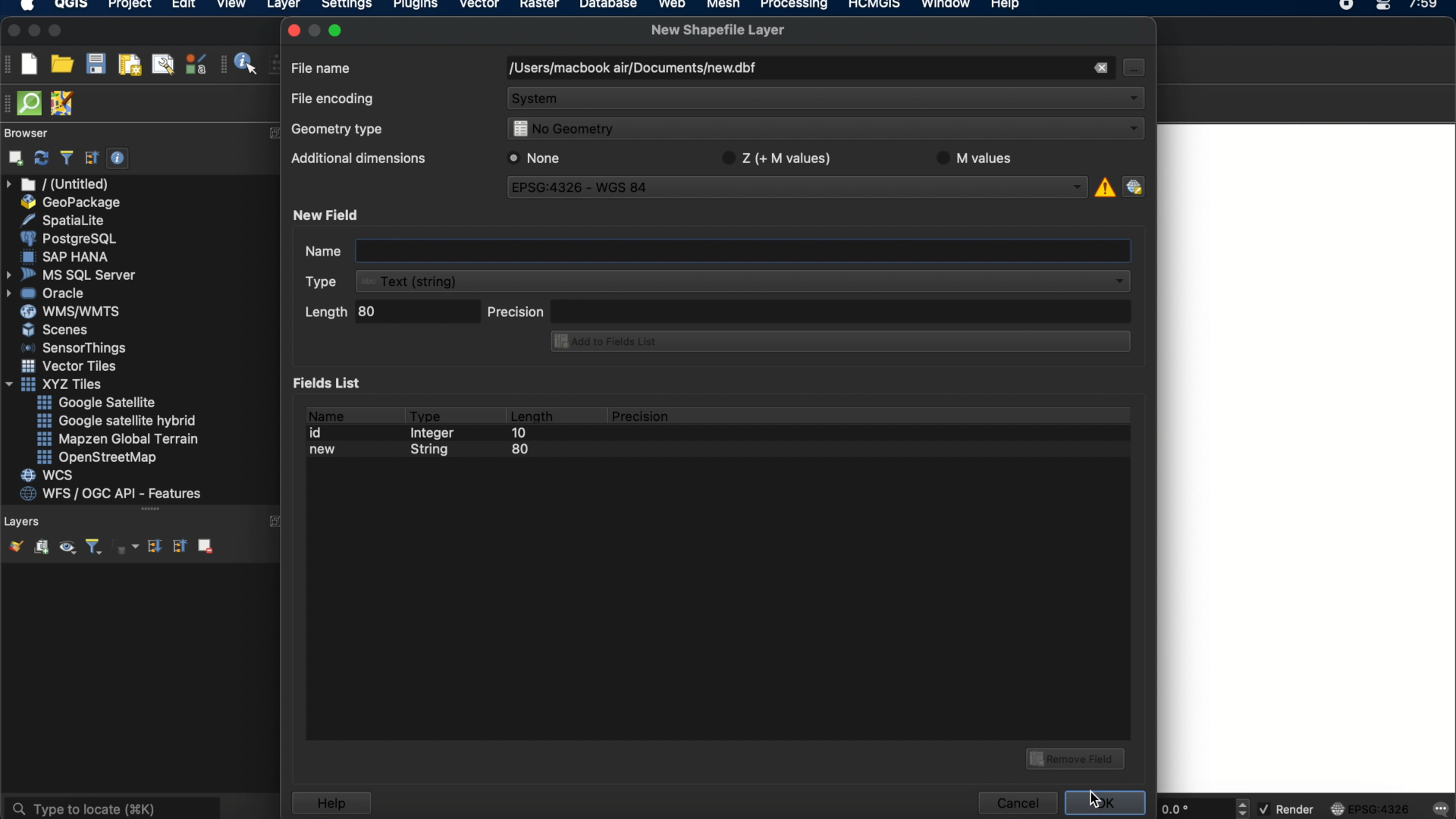 The width and height of the screenshot is (1456, 819). Describe the element at coordinates (68, 239) in the screenshot. I see `postgresql` at that location.